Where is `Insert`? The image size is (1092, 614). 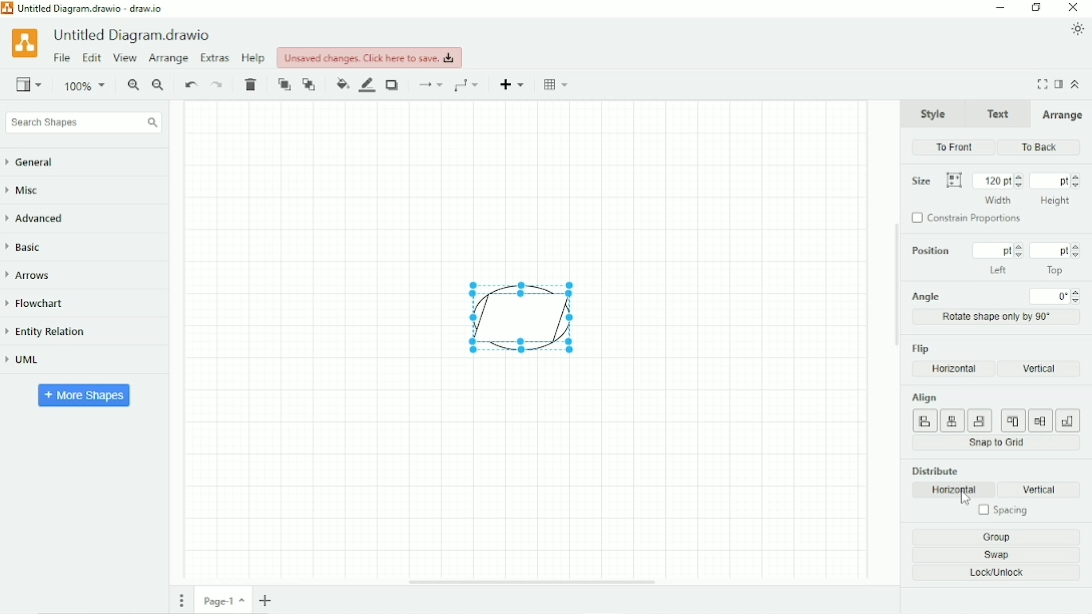
Insert is located at coordinates (514, 84).